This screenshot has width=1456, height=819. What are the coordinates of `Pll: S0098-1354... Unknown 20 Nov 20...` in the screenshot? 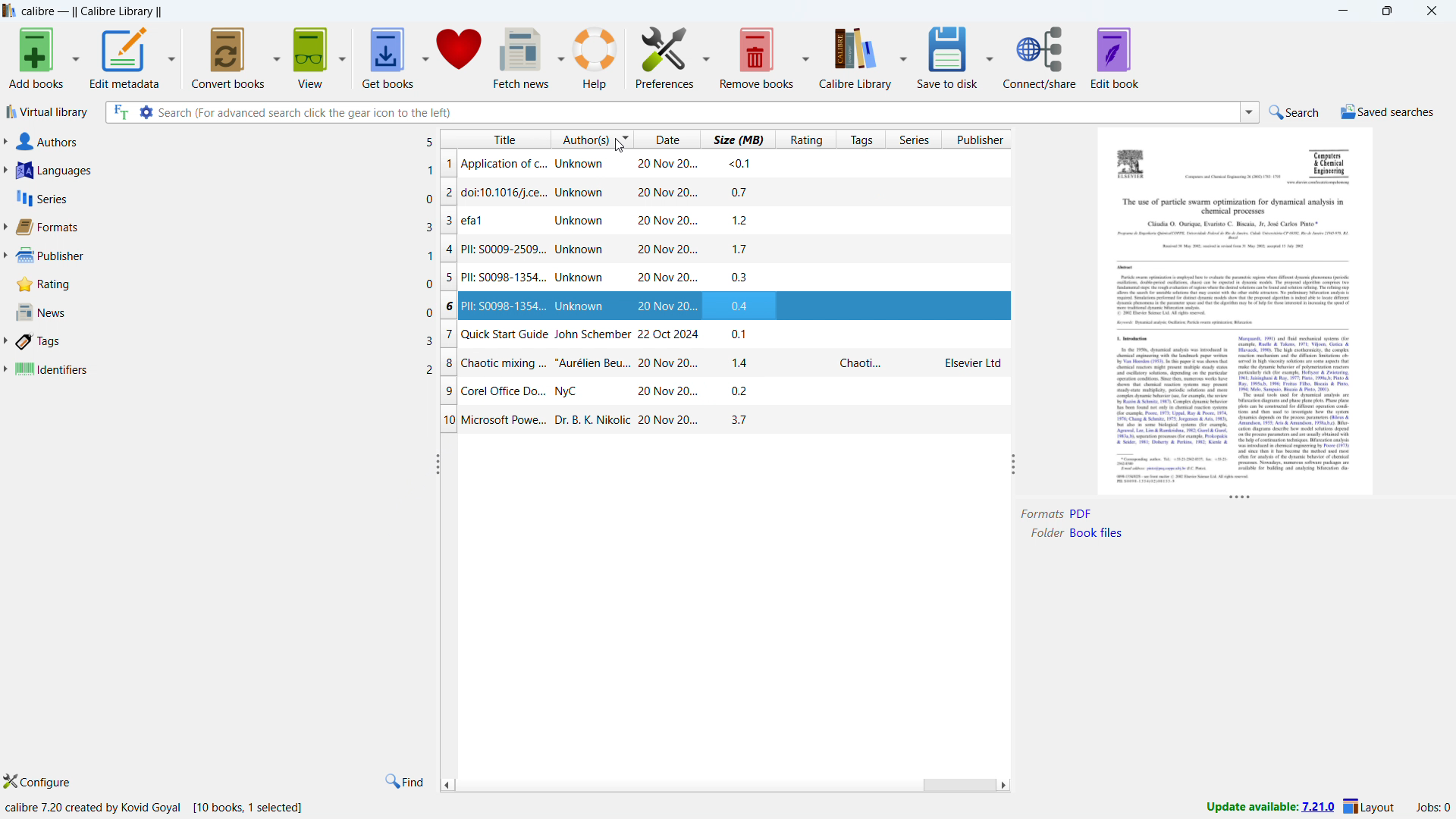 It's located at (580, 307).